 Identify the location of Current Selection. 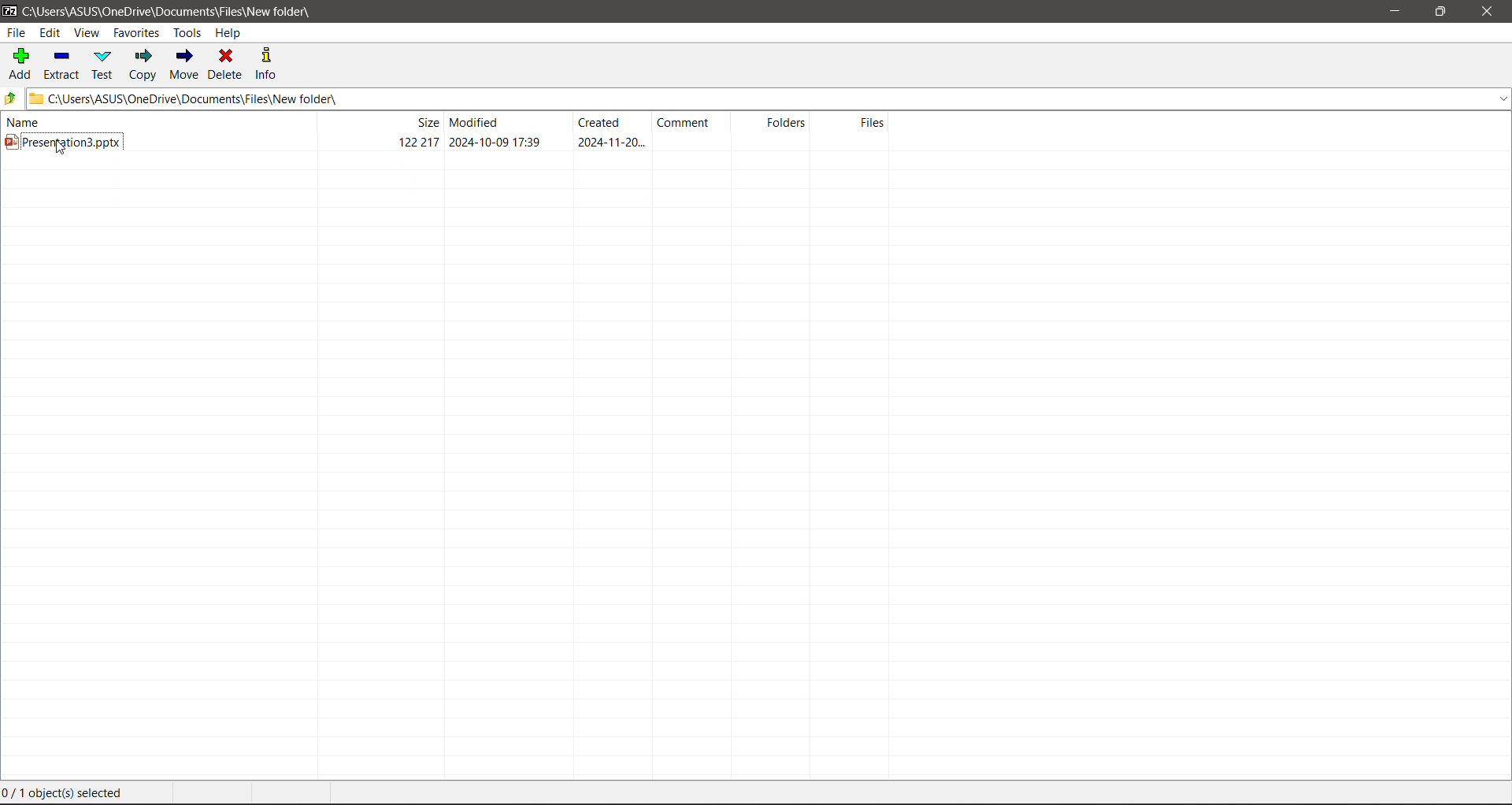
(70, 793).